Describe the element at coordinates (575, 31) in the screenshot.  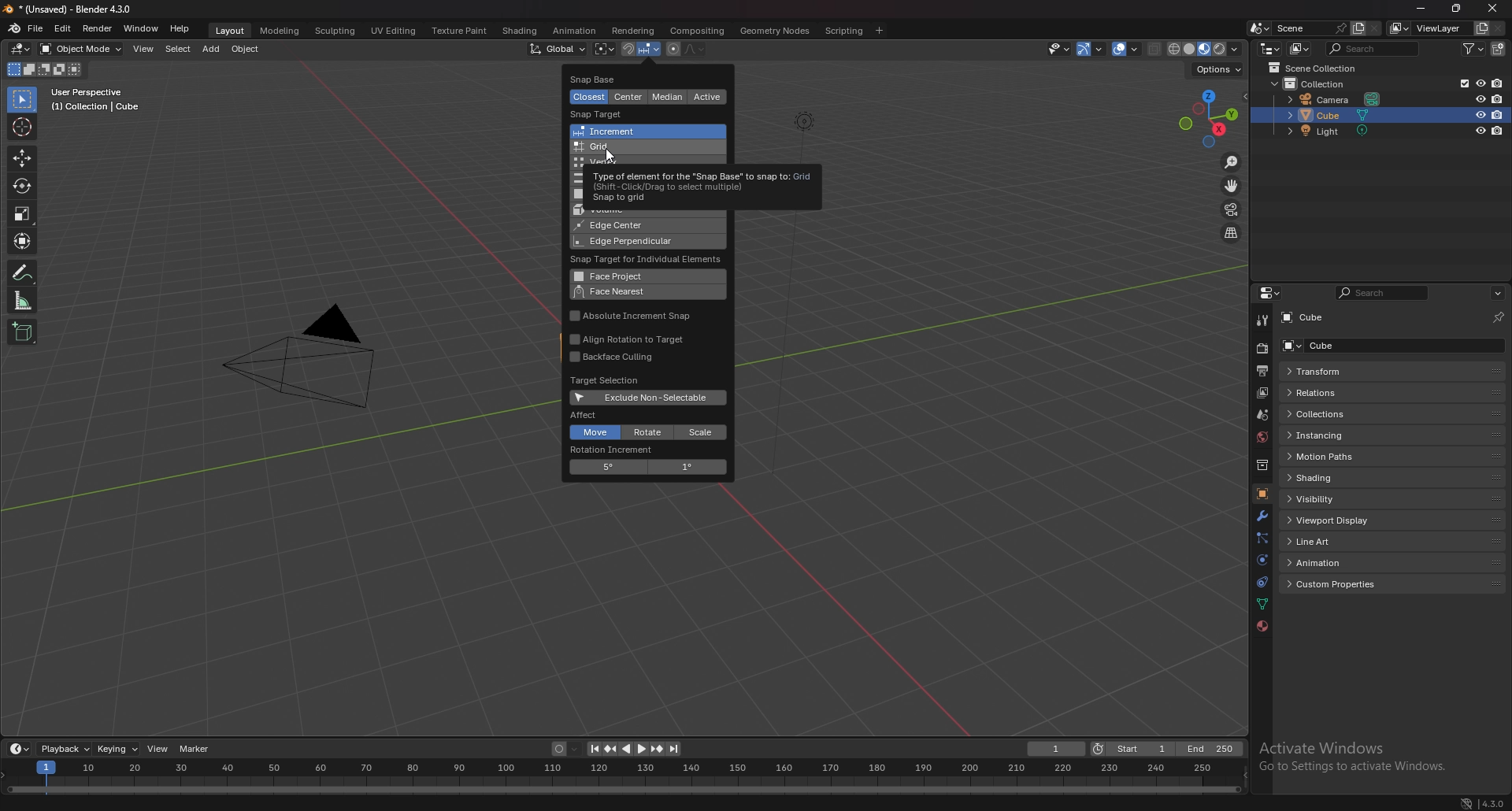
I see `animation` at that location.